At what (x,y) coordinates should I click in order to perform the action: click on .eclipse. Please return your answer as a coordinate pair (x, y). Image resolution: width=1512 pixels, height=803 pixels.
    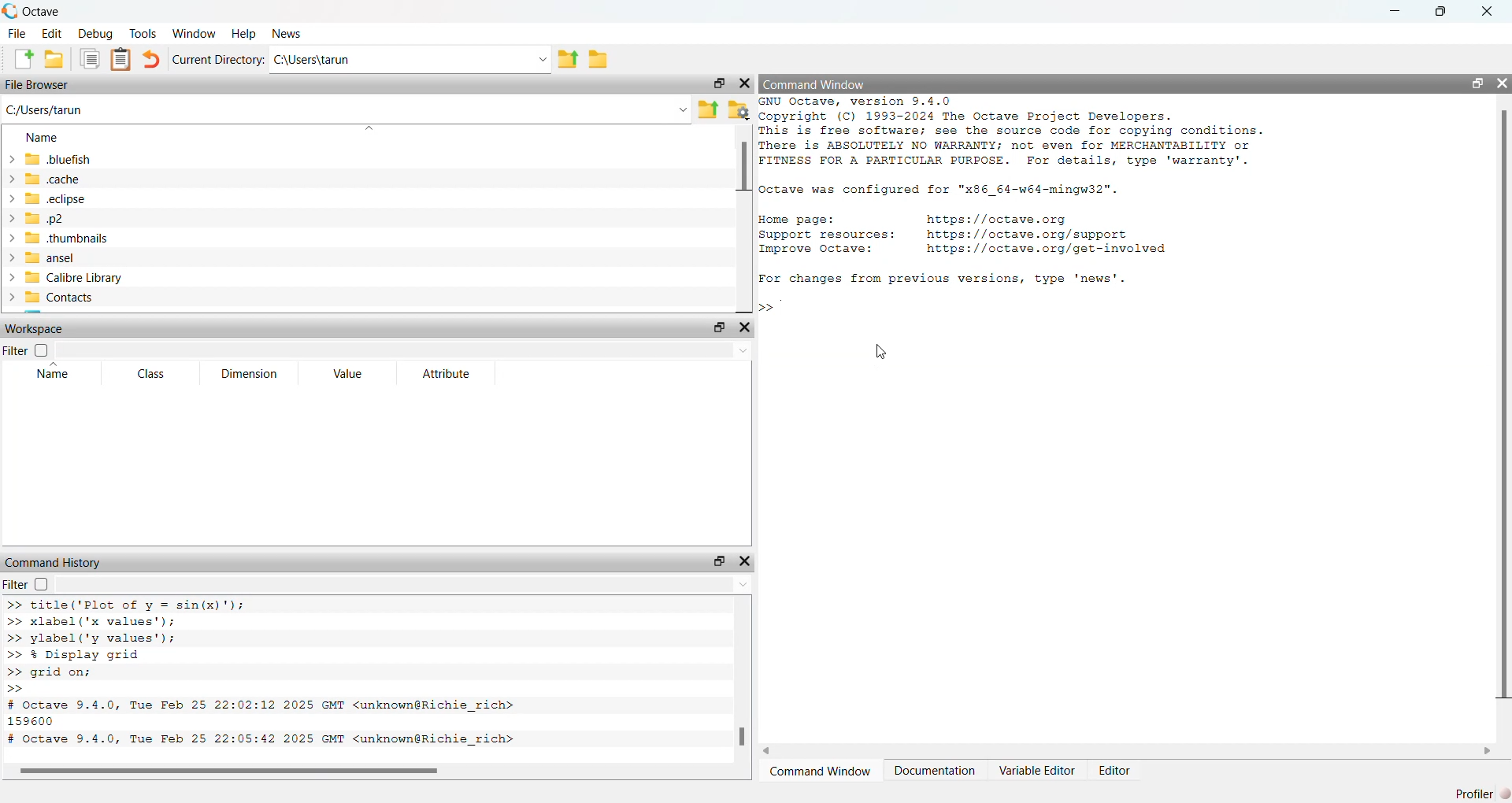
    Looking at the image, I should click on (50, 199).